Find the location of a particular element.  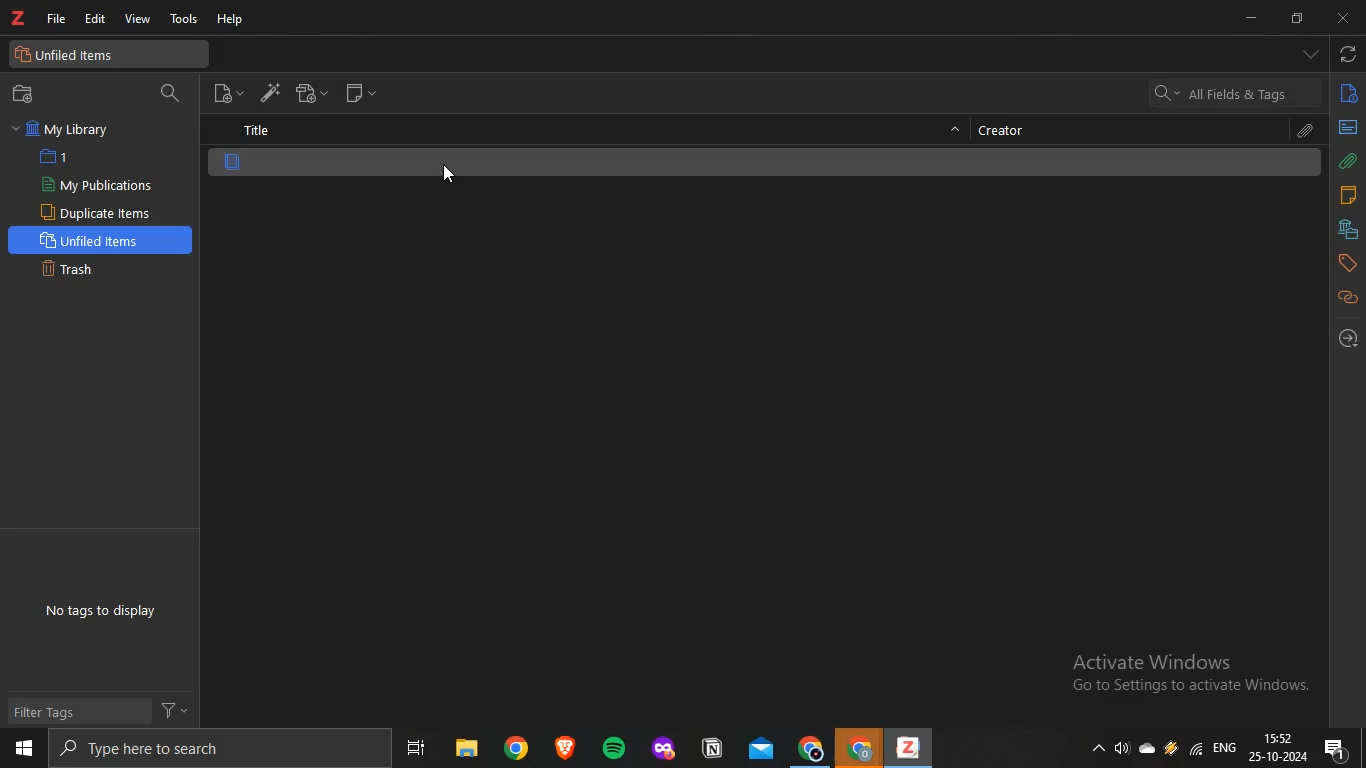

speakers is located at coordinates (1124, 749).